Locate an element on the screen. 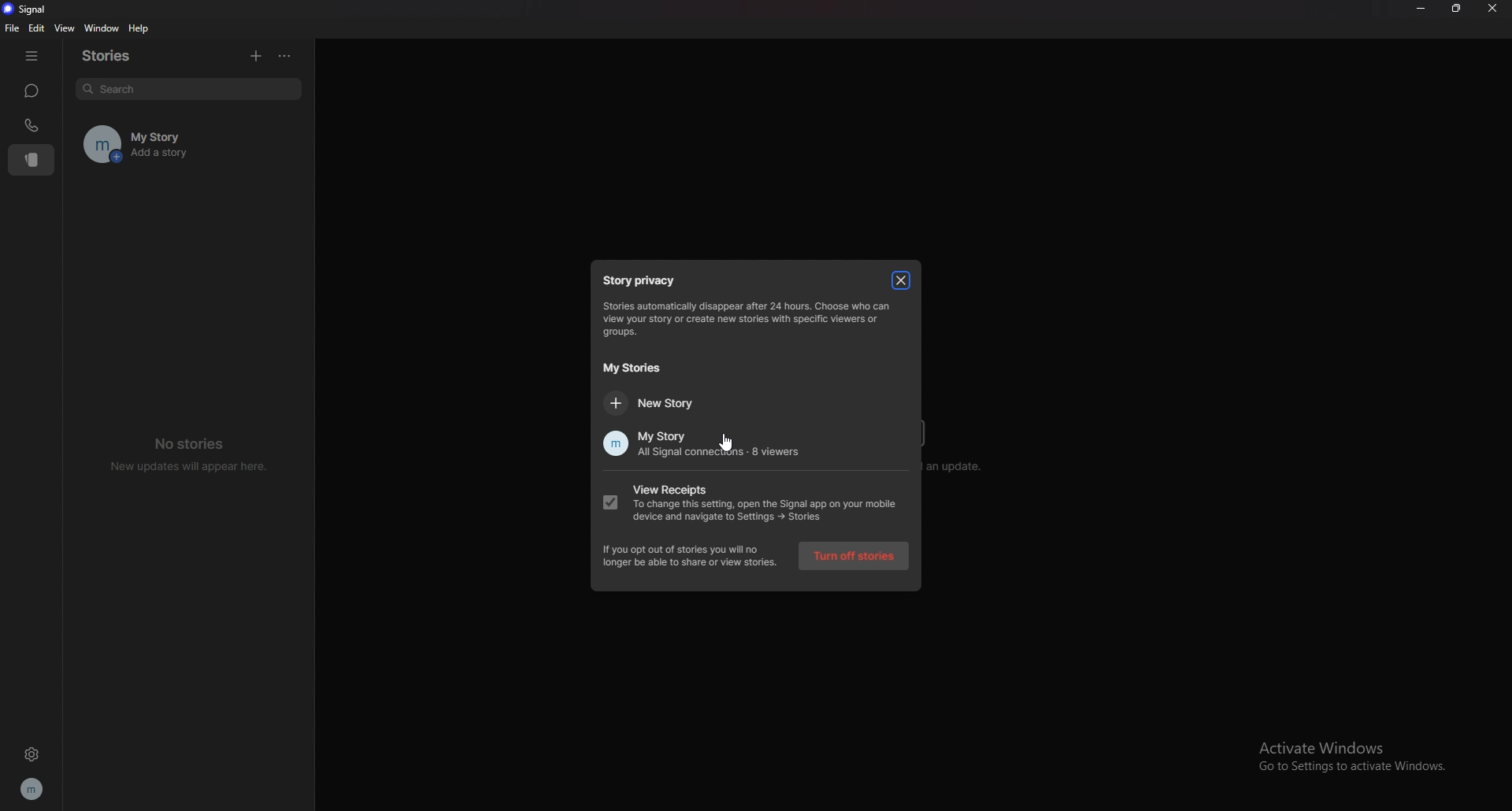 The image size is (1512, 811). stories is located at coordinates (31, 161).